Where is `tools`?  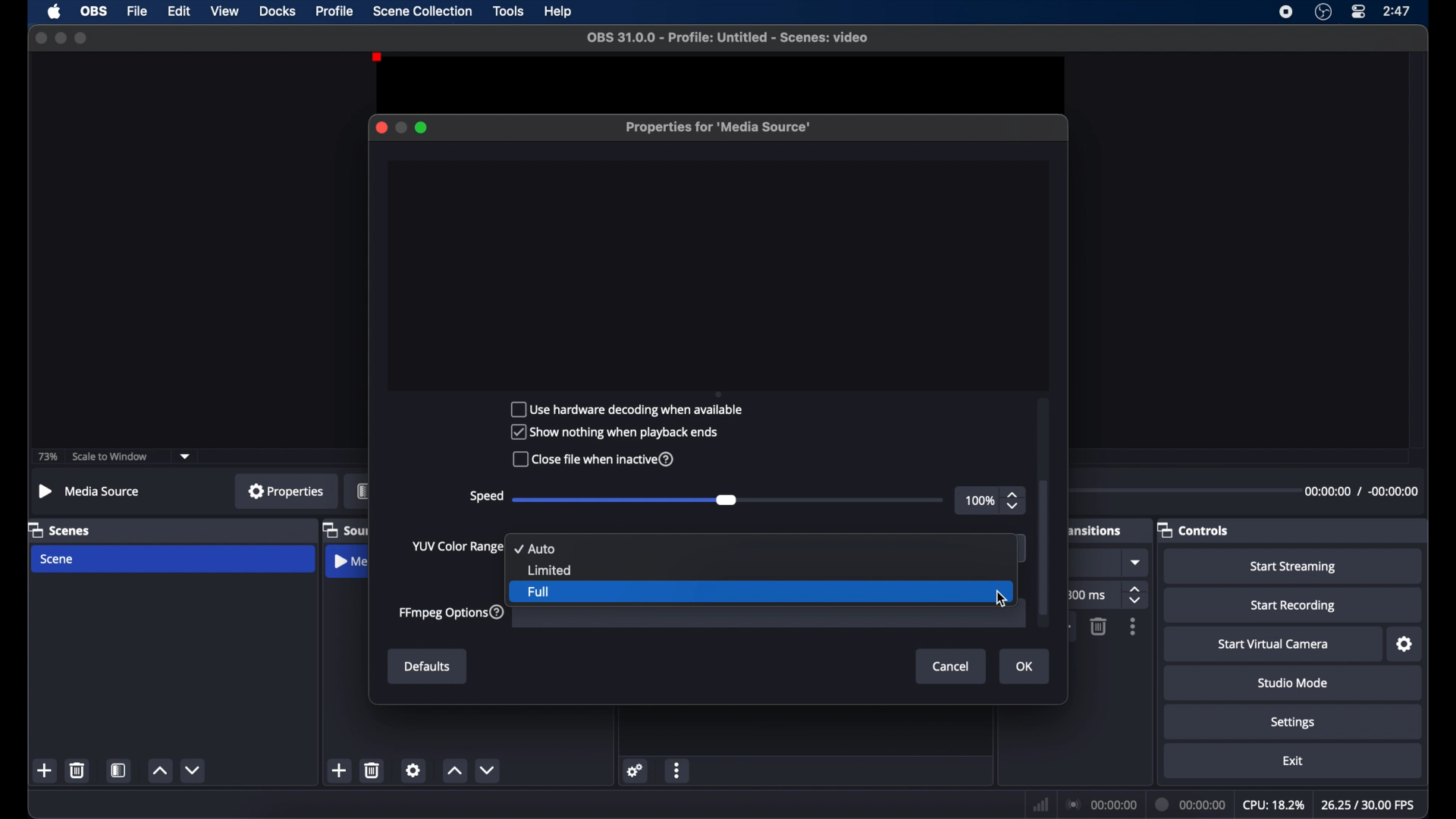
tools is located at coordinates (510, 11).